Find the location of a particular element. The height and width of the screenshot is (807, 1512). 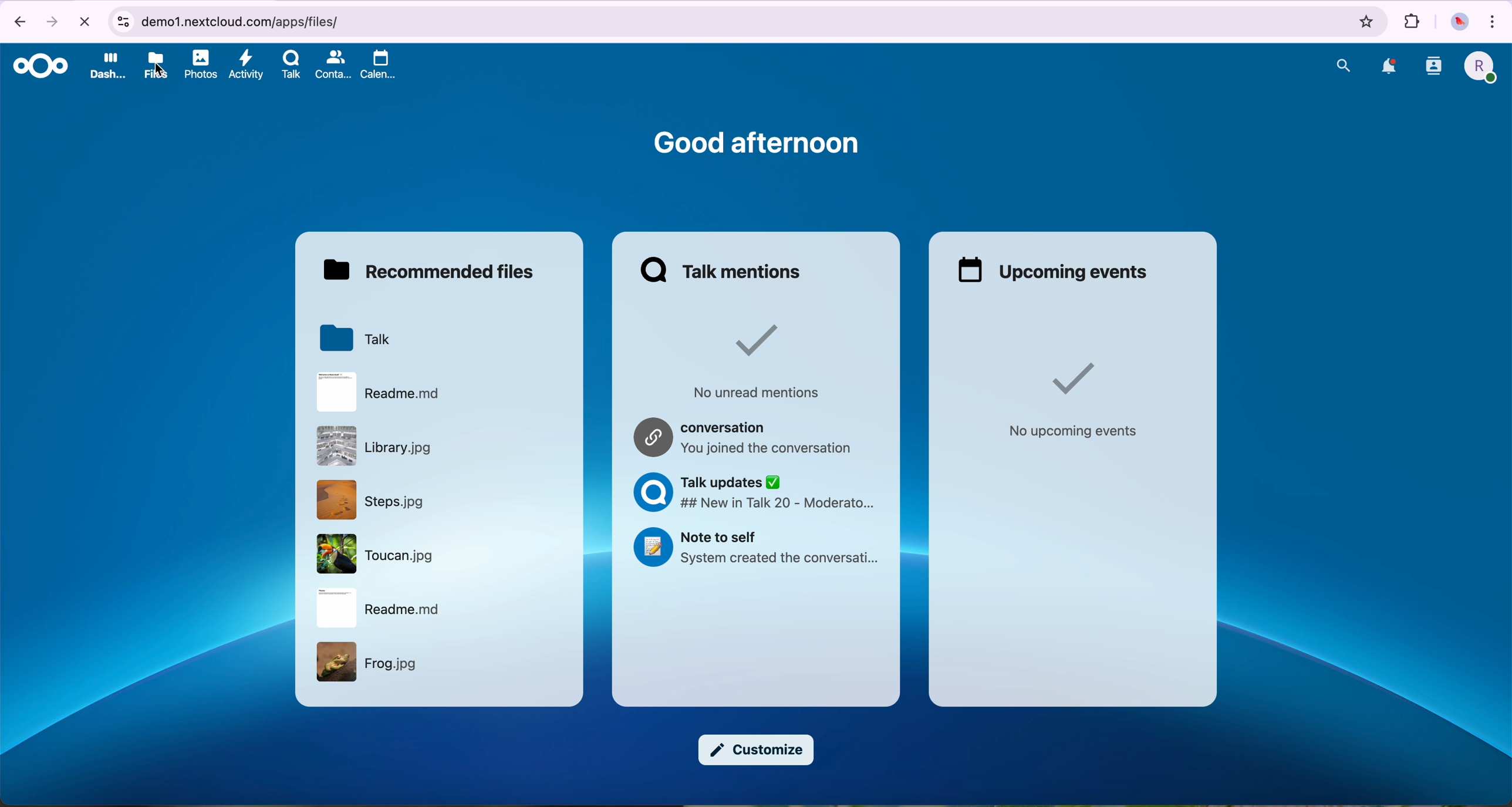

note to self is located at coordinates (756, 546).